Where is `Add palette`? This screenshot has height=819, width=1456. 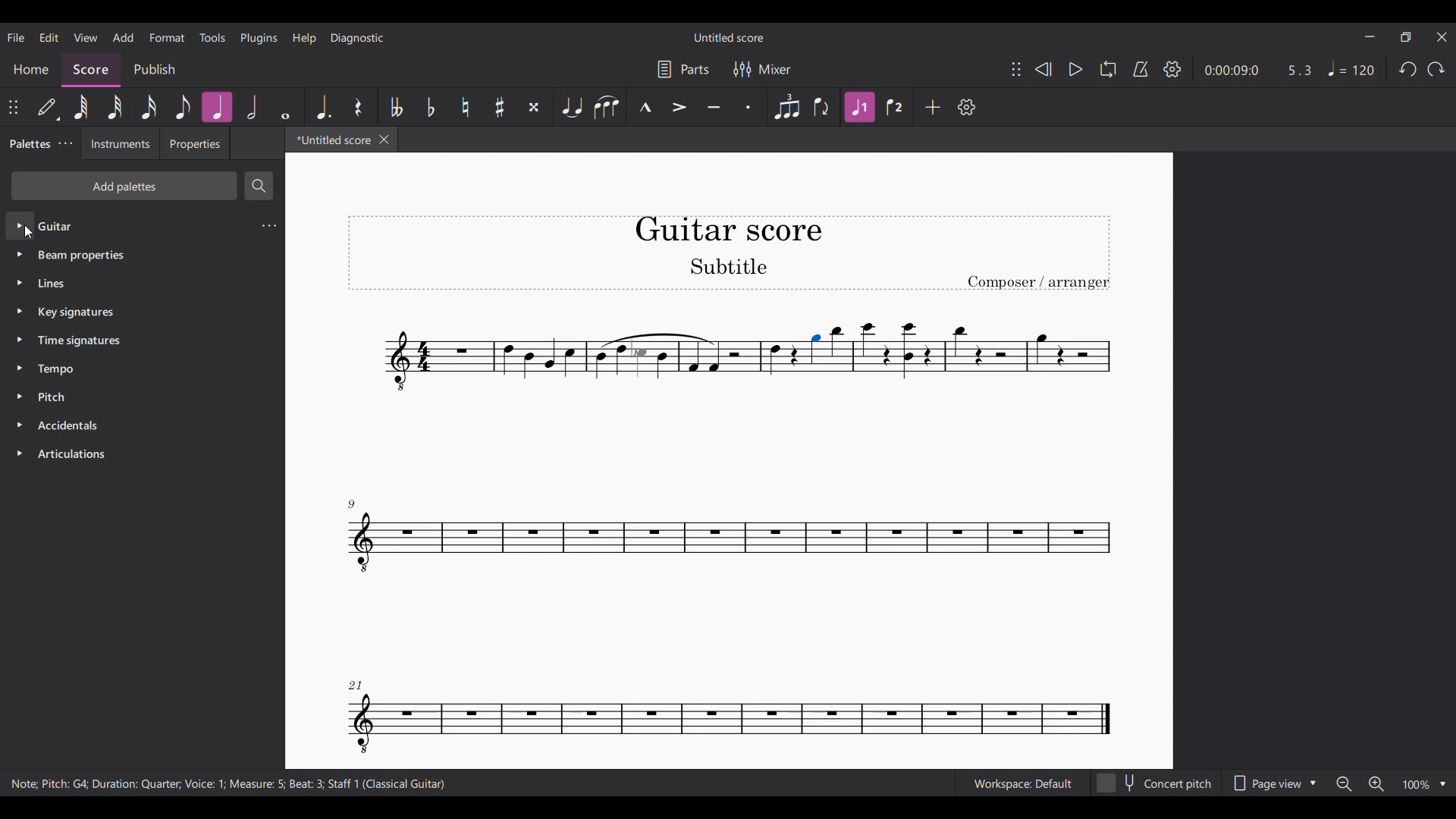 Add palette is located at coordinates (124, 186).